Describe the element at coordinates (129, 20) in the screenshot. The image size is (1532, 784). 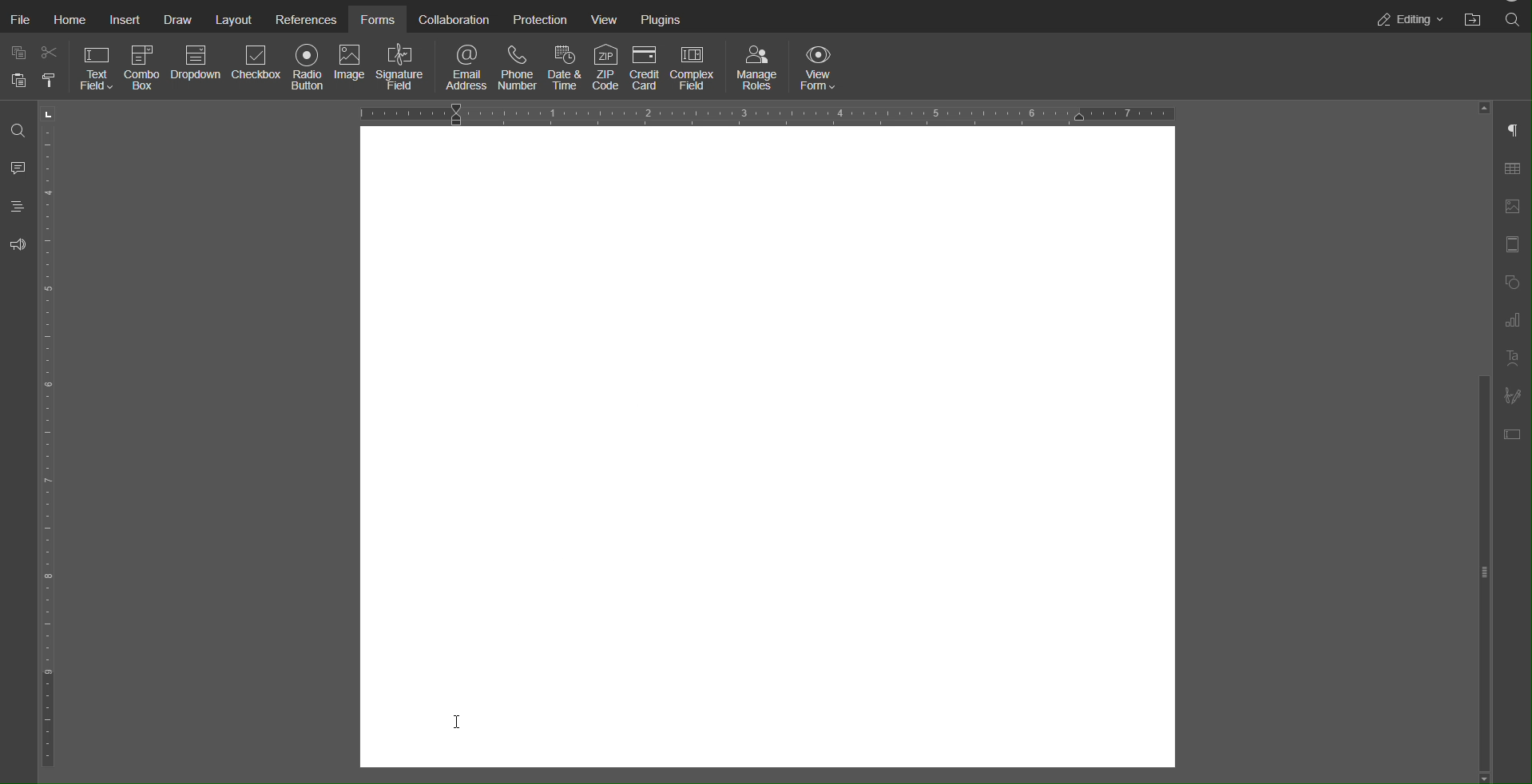
I see `Insert` at that location.